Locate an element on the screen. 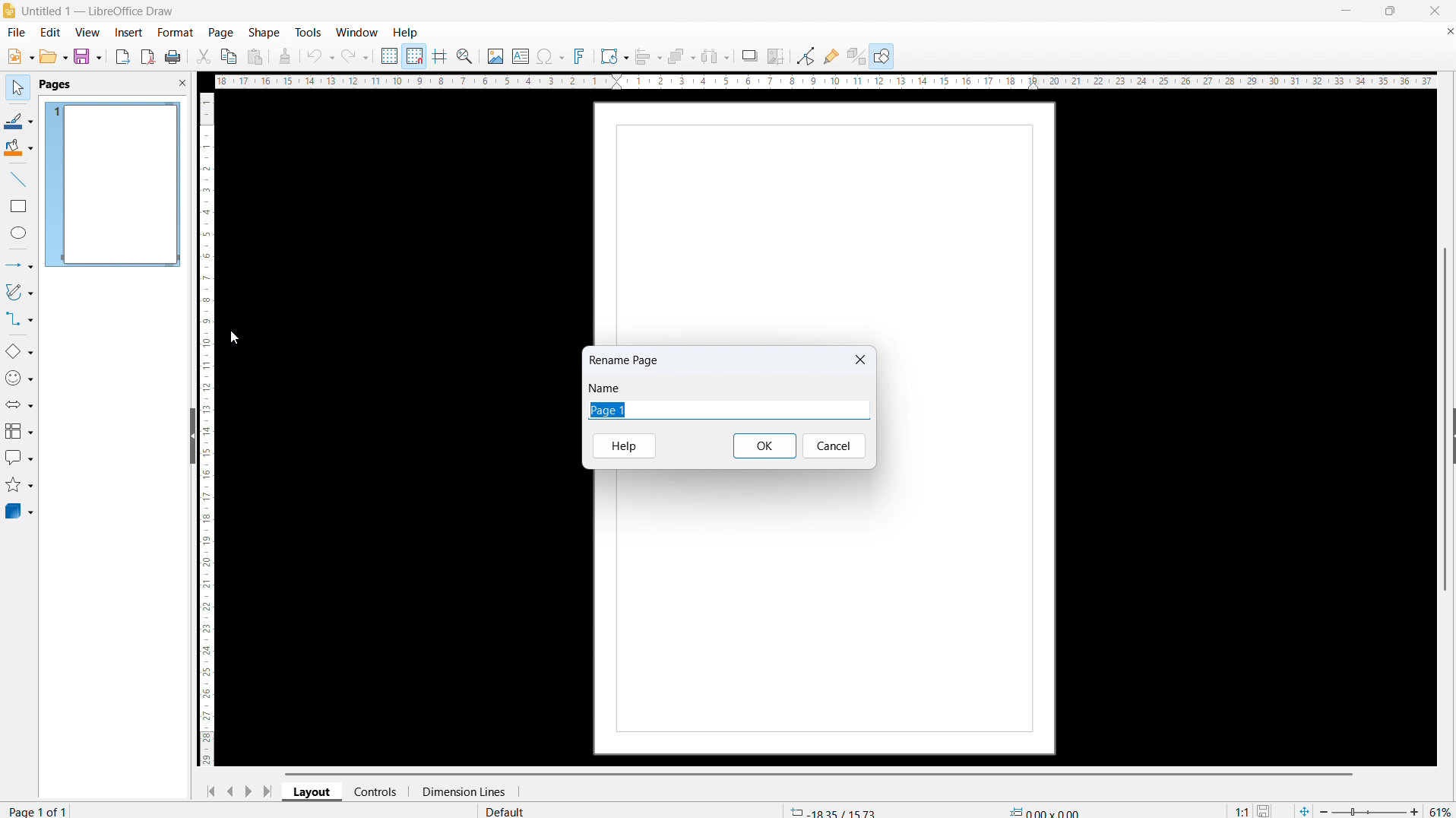 The image size is (1456, 818). select is located at coordinates (17, 88).